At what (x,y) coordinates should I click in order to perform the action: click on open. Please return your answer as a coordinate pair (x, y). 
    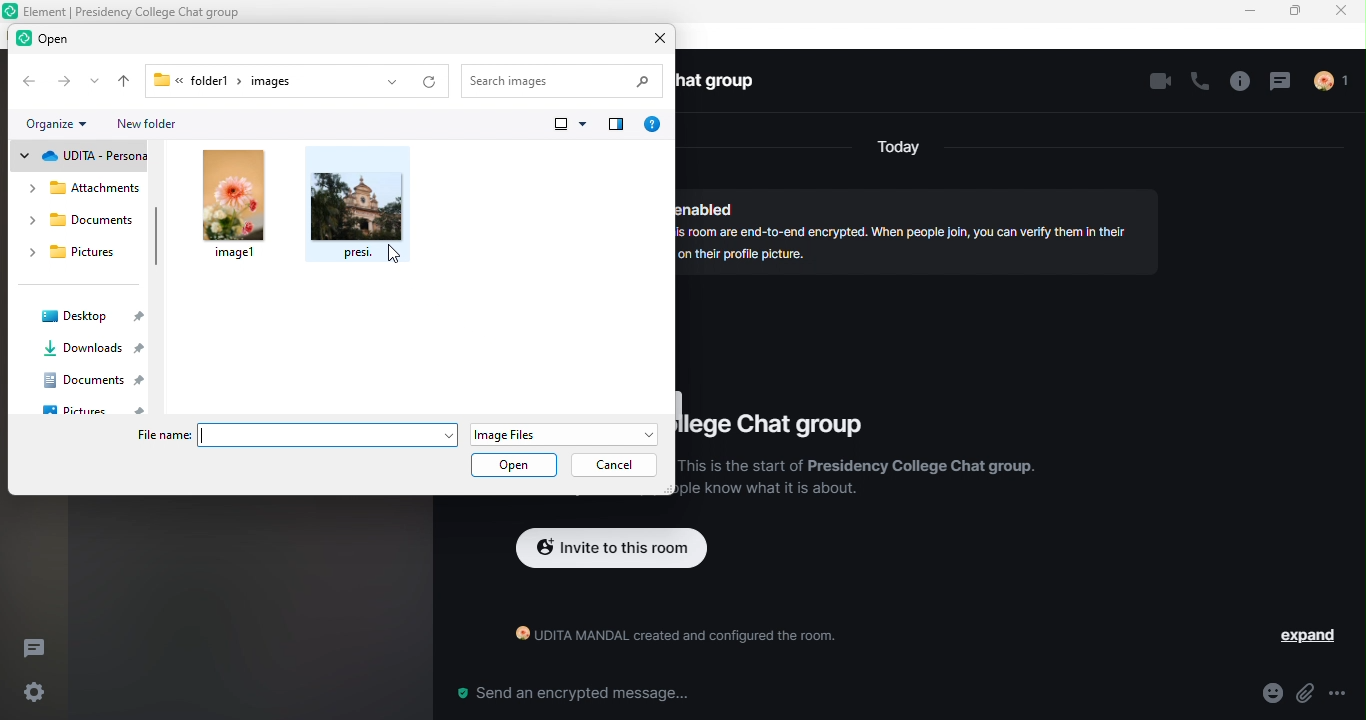
    Looking at the image, I should click on (56, 39).